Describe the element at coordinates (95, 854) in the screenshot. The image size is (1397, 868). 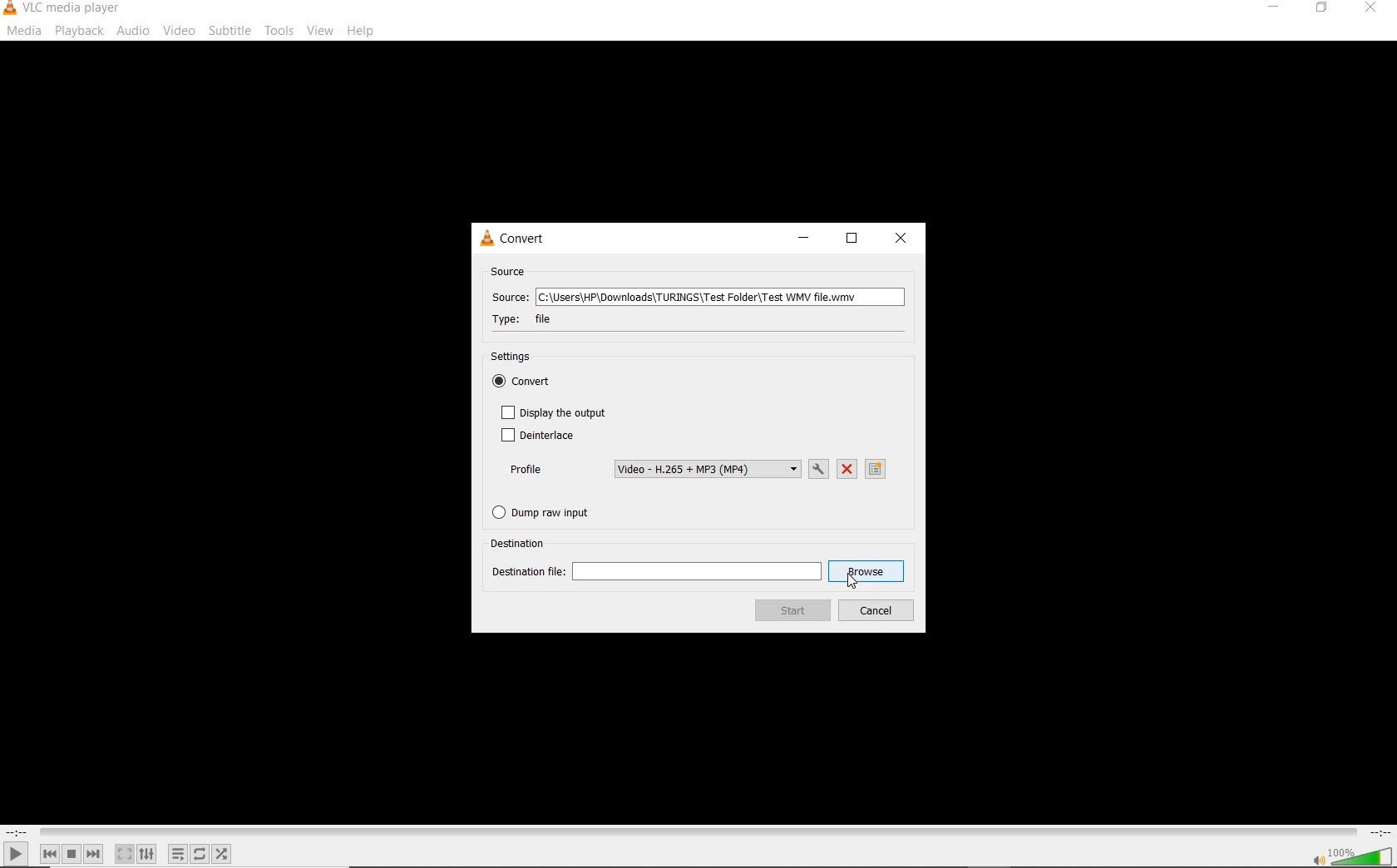
I see `next media` at that location.